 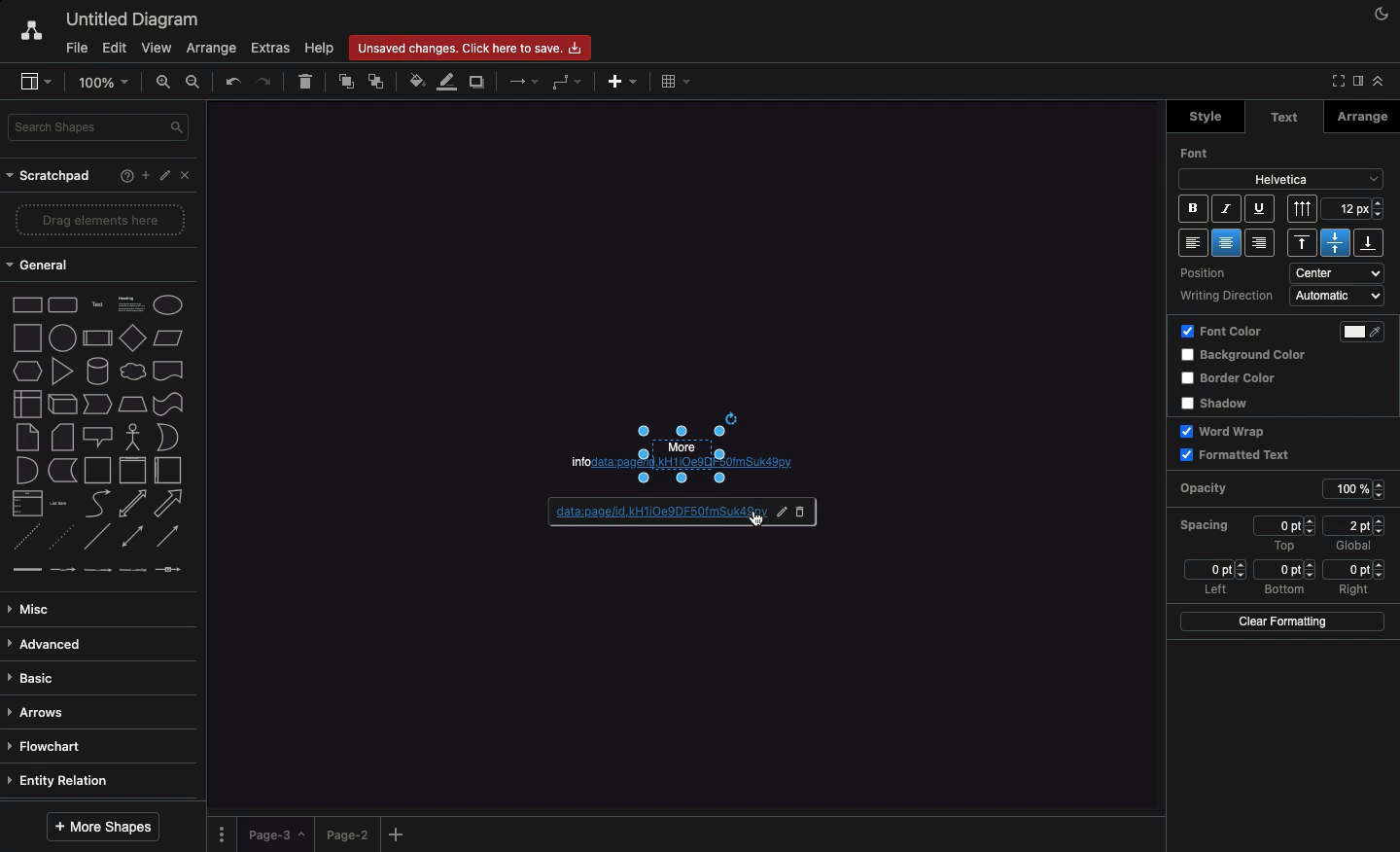 I want to click on Line, so click(x=97, y=536).